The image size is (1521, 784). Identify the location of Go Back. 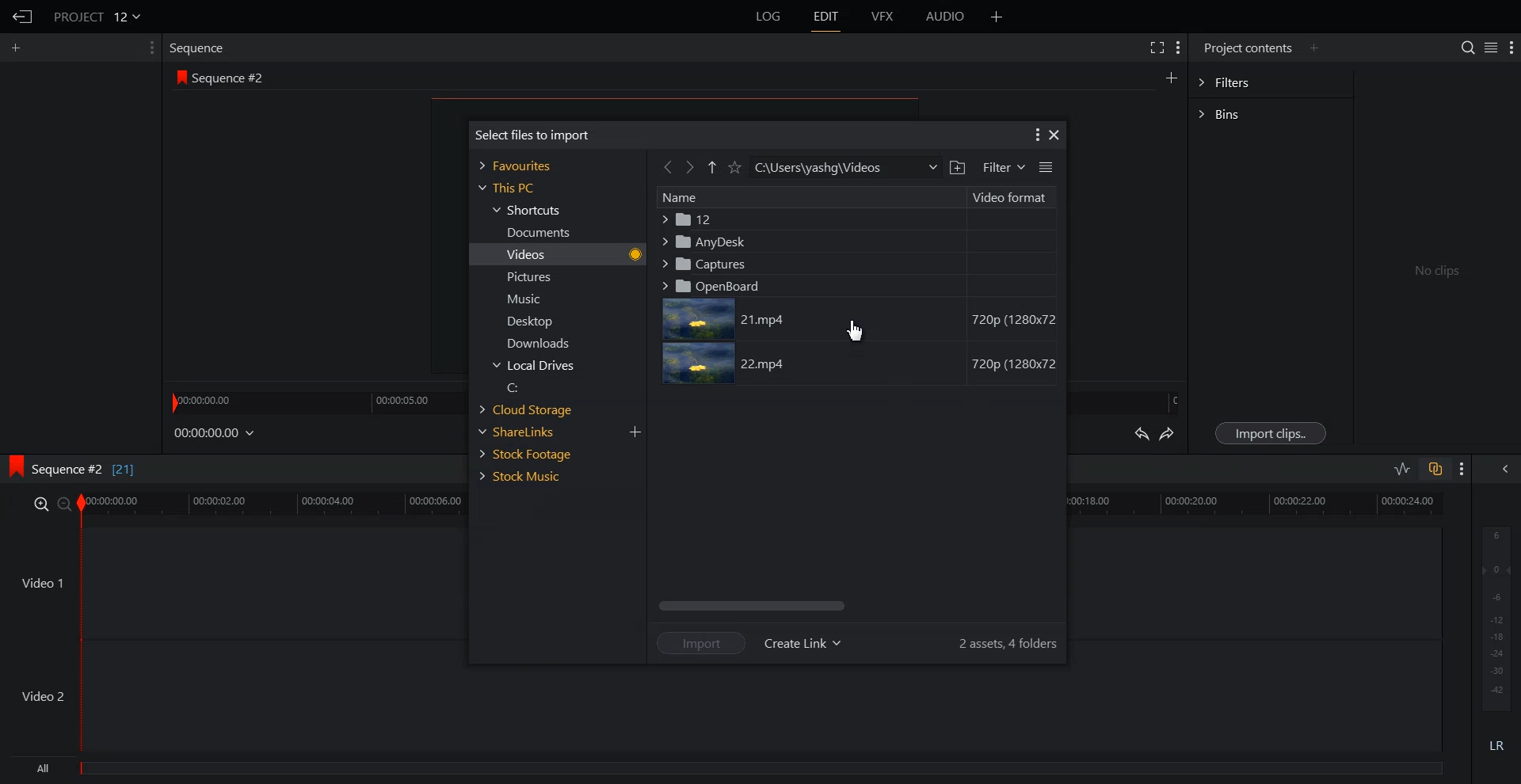
(24, 17).